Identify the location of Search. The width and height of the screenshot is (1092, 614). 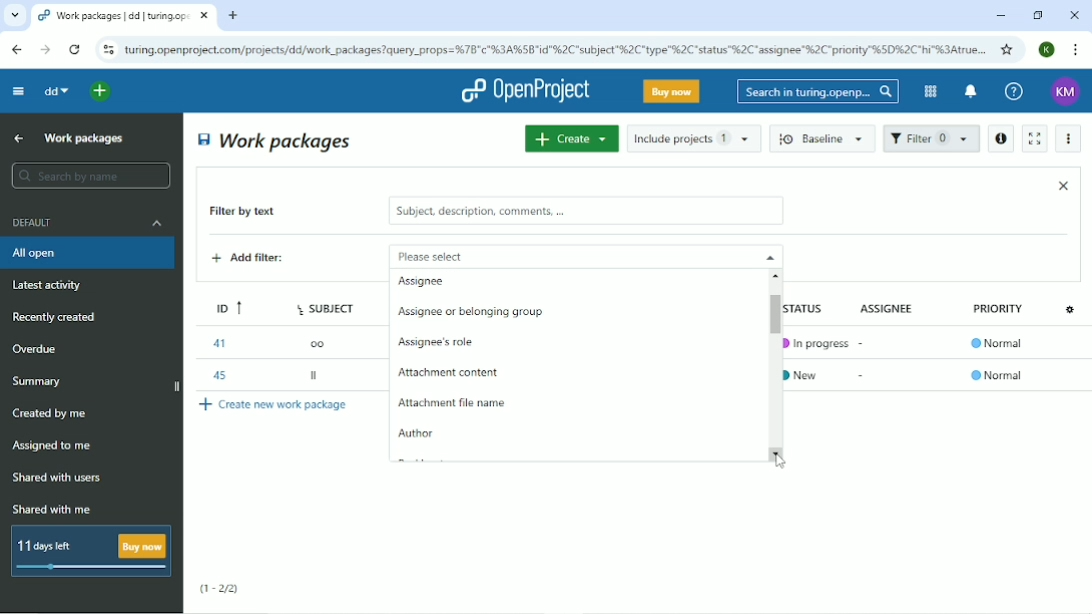
(818, 91).